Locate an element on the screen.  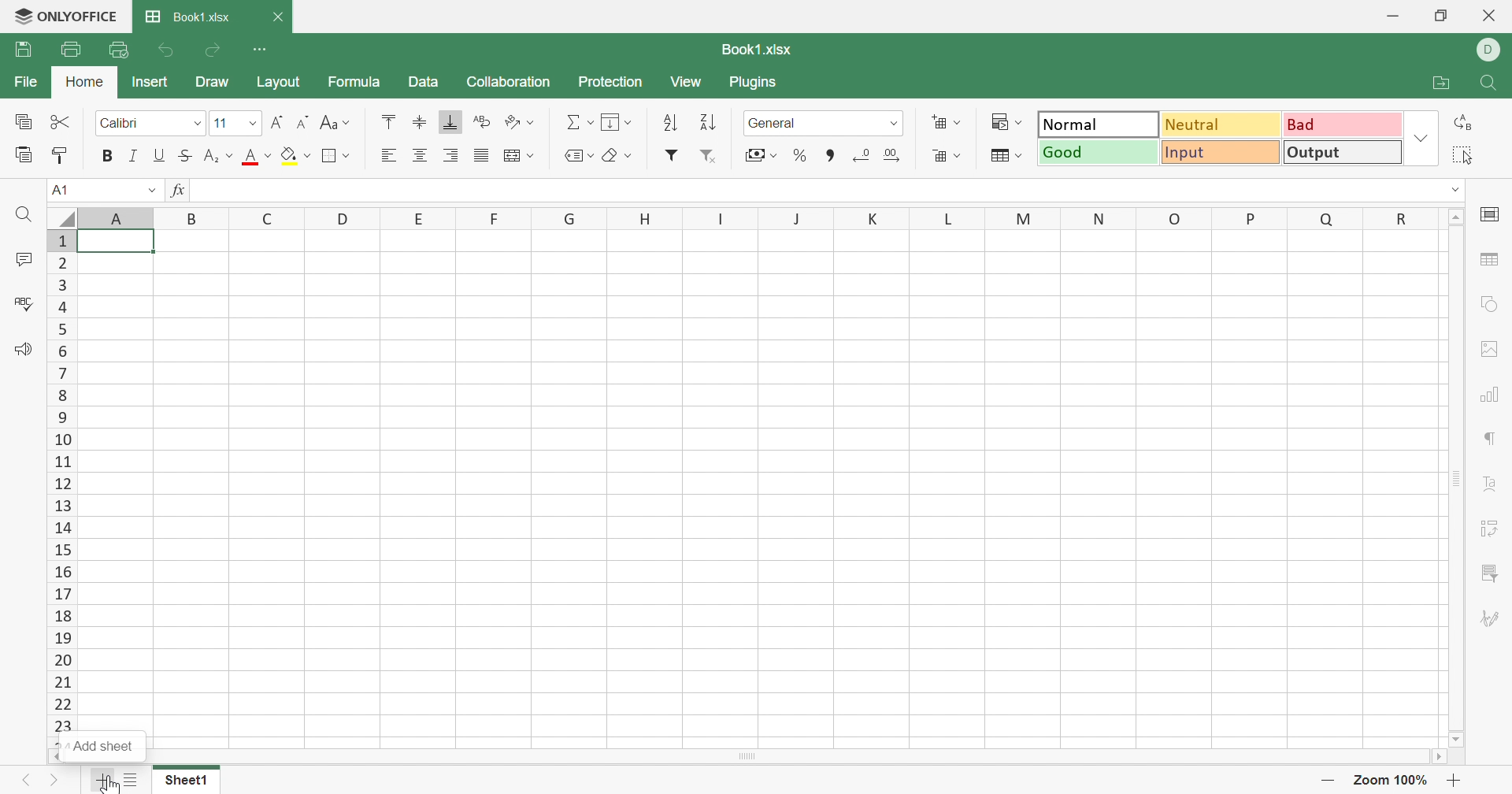
Select all is located at coordinates (1458, 157).